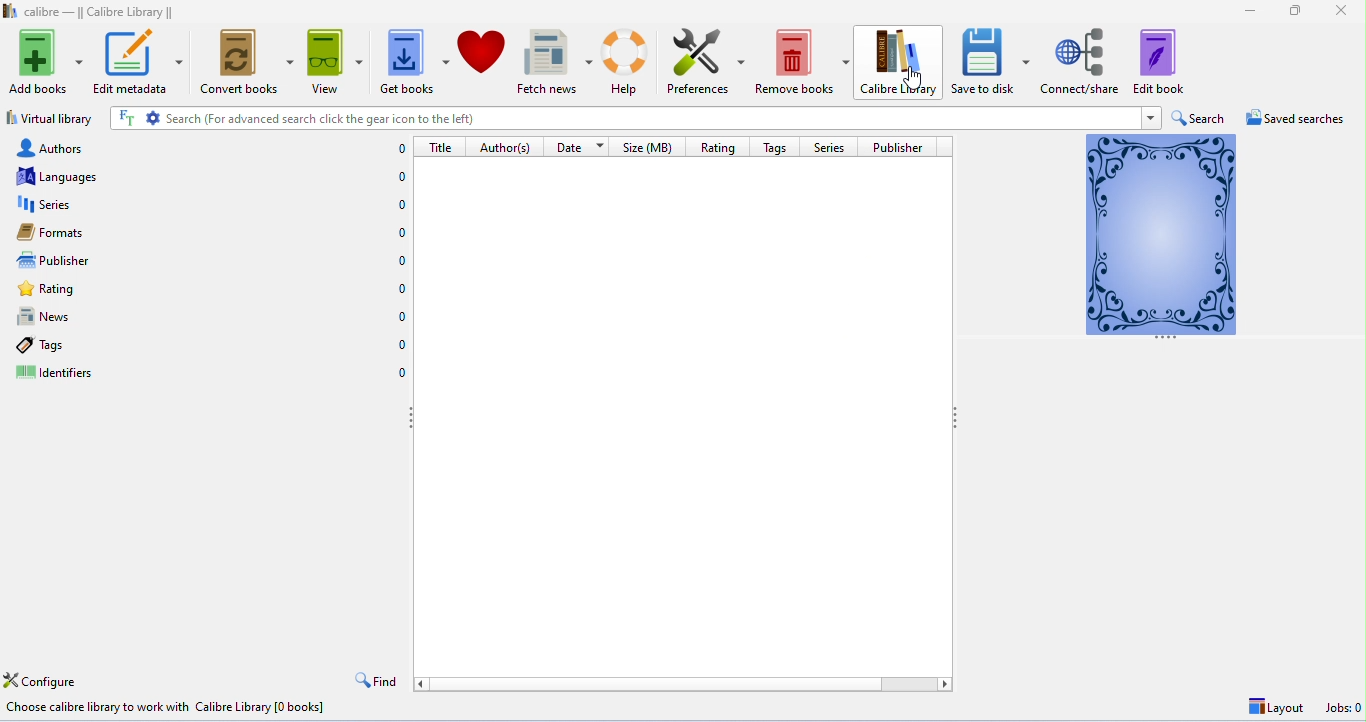 Image resolution: width=1366 pixels, height=722 pixels. What do you see at coordinates (1082, 59) in the screenshot?
I see `connect / share` at bounding box center [1082, 59].